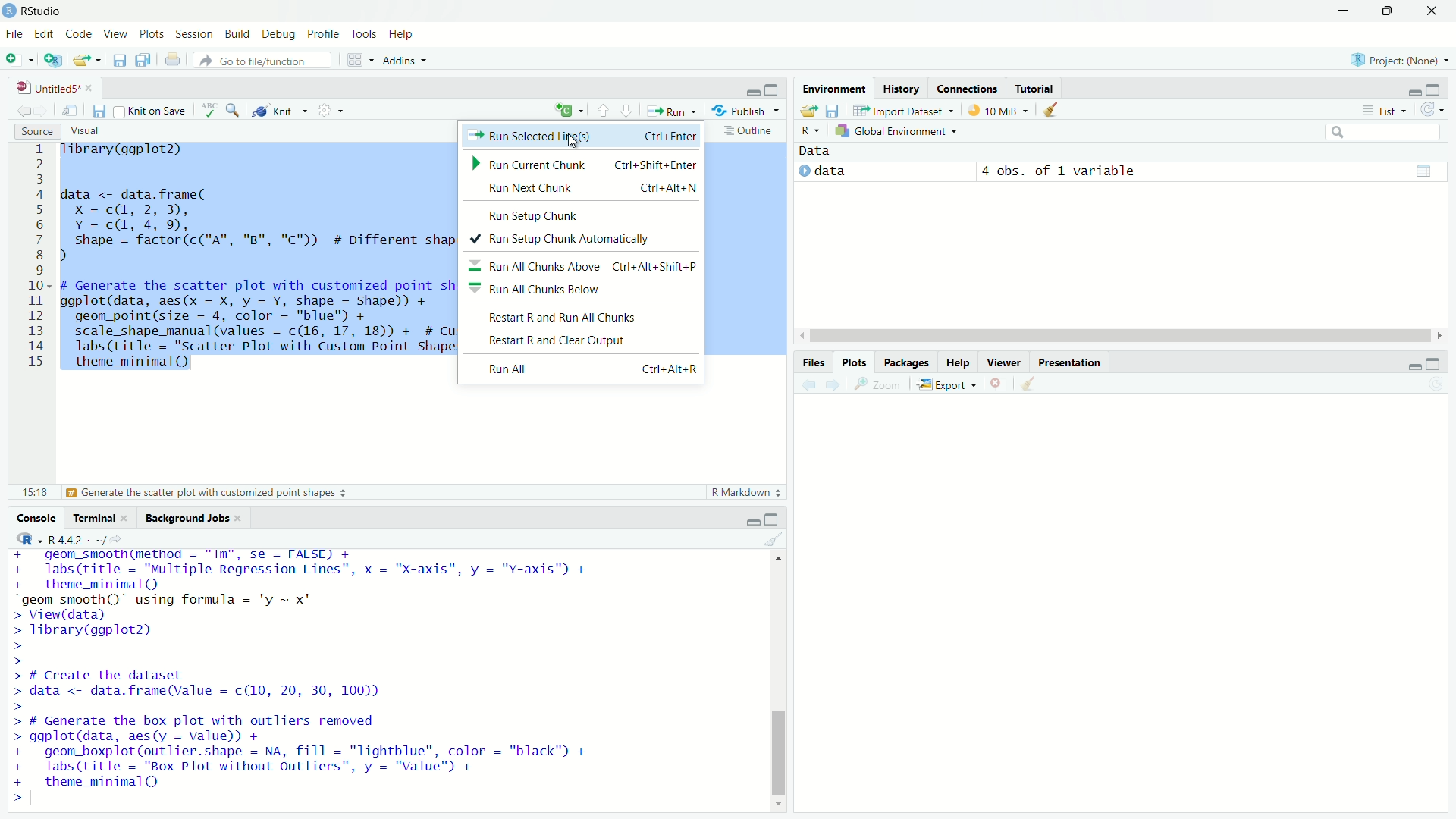 This screenshot has width=1456, height=819. I want to click on Zoom, so click(877, 384).